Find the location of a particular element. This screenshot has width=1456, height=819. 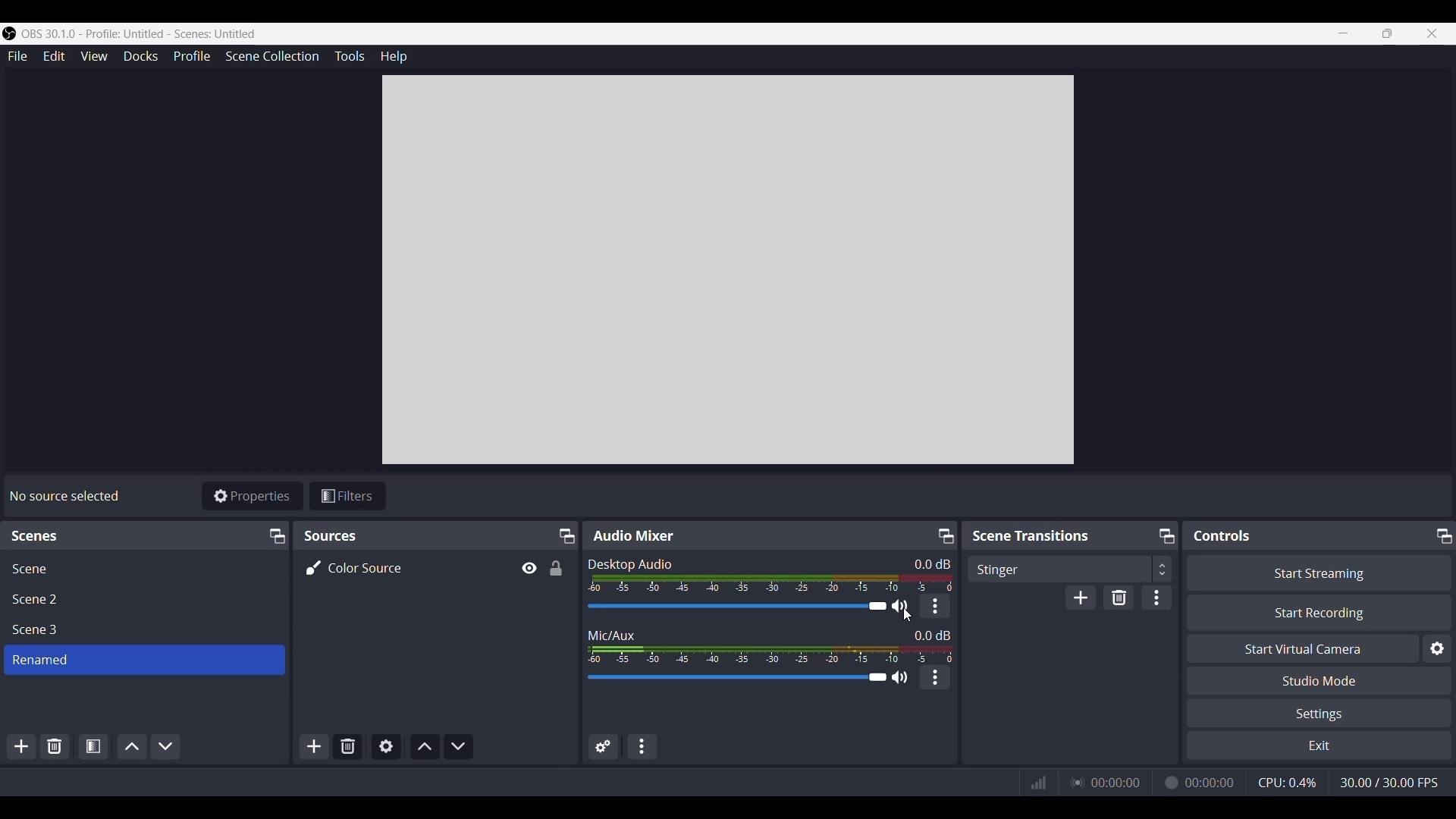

Increase/Decrease desktop audio volume is located at coordinates (736, 607).